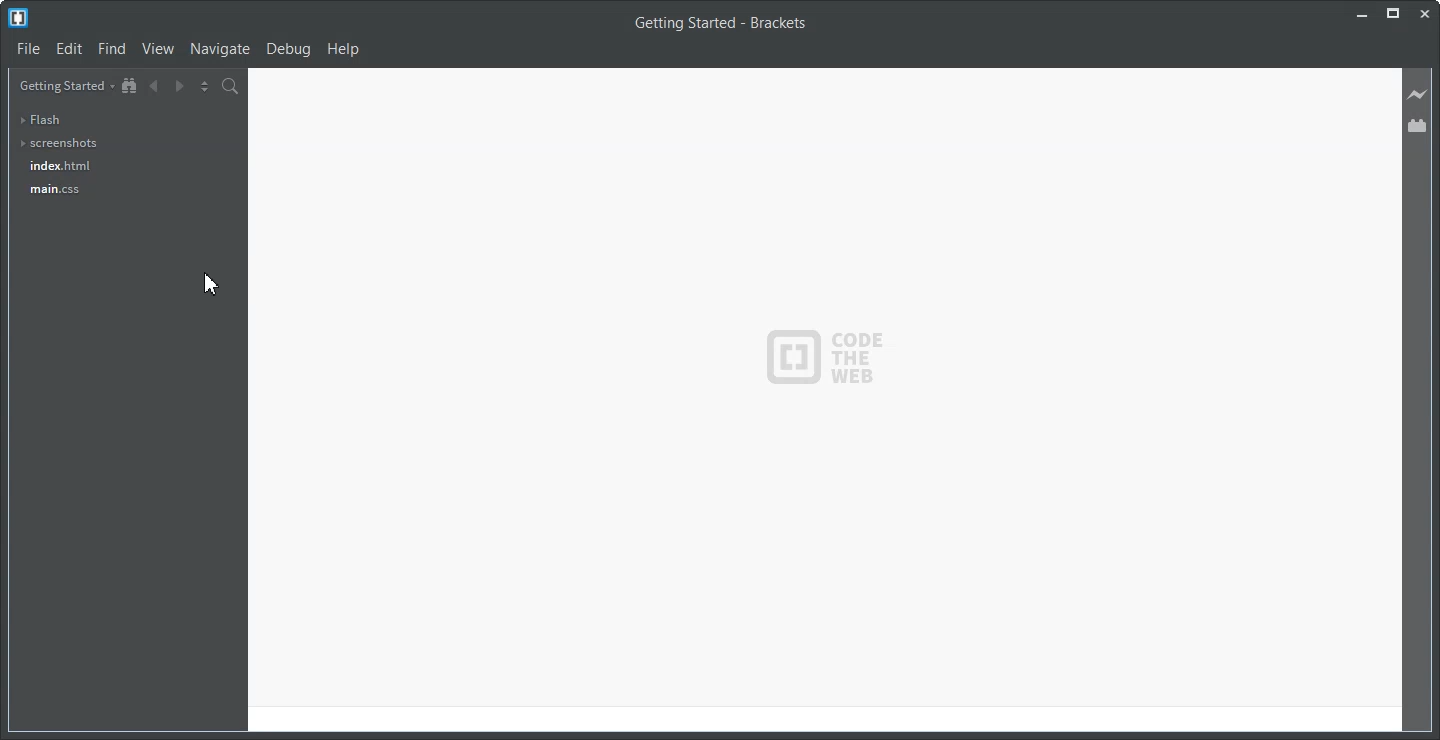 This screenshot has height=740, width=1440. What do you see at coordinates (1419, 95) in the screenshot?
I see `Live Preview` at bounding box center [1419, 95].